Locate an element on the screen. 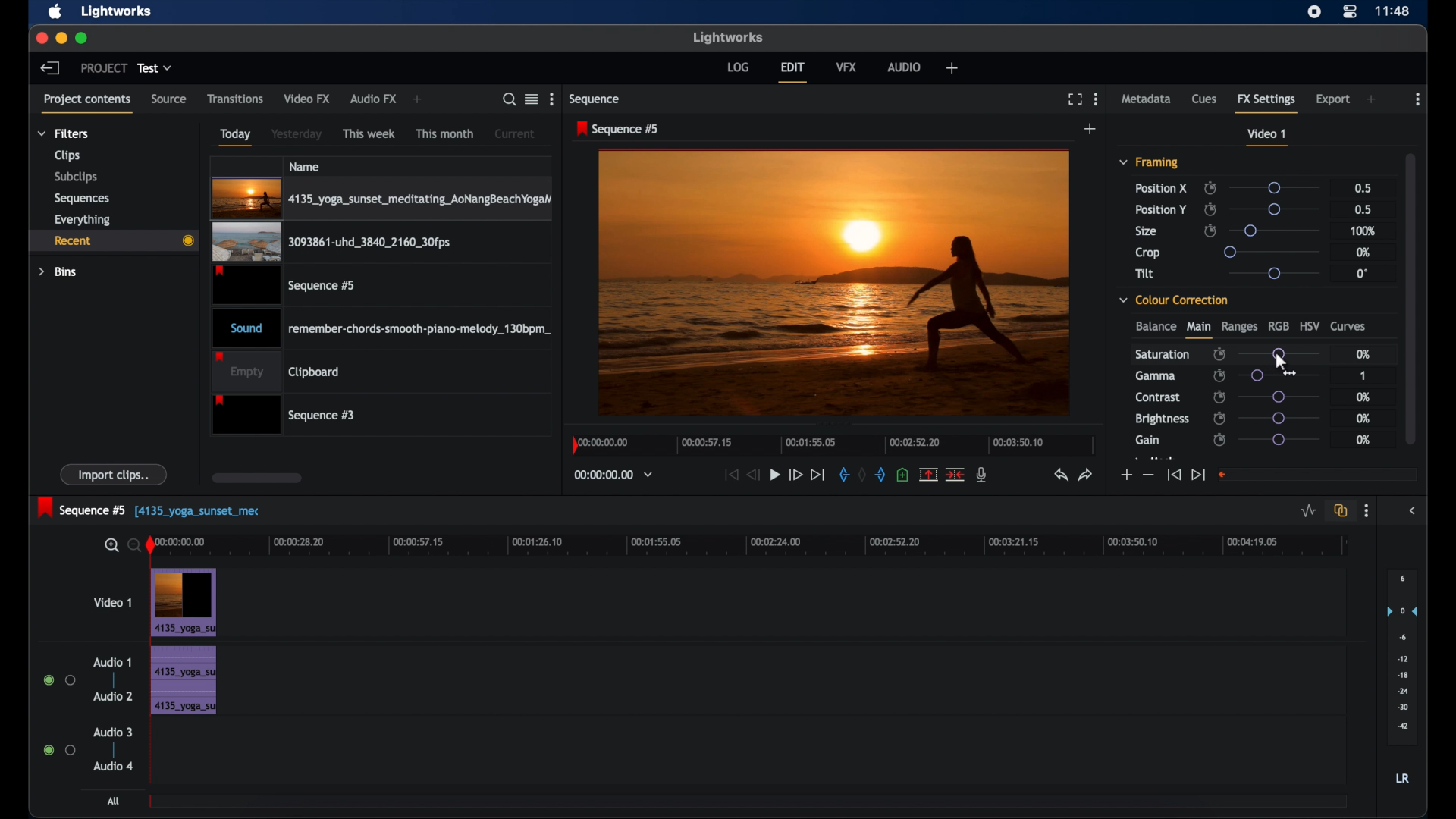 This screenshot has height=819, width=1456. gamma is located at coordinates (1155, 375).